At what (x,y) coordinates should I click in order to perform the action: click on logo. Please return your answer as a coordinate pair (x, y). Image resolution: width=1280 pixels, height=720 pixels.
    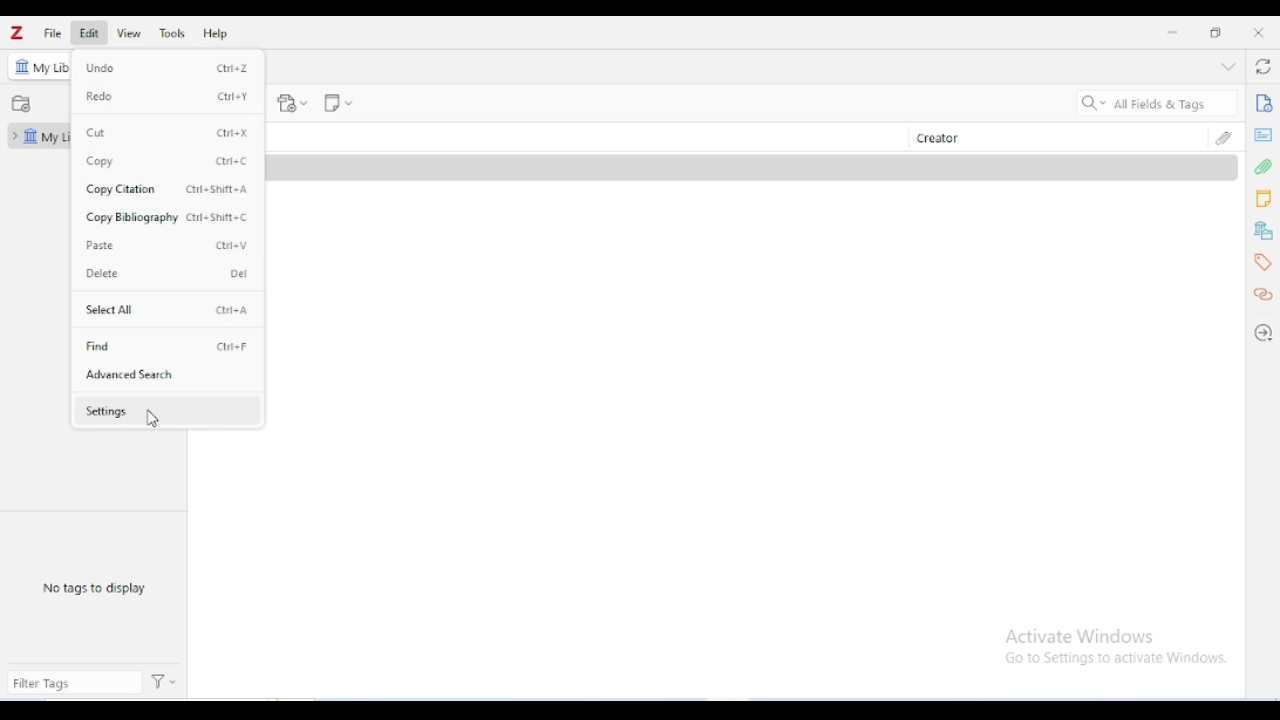
    Looking at the image, I should click on (16, 32).